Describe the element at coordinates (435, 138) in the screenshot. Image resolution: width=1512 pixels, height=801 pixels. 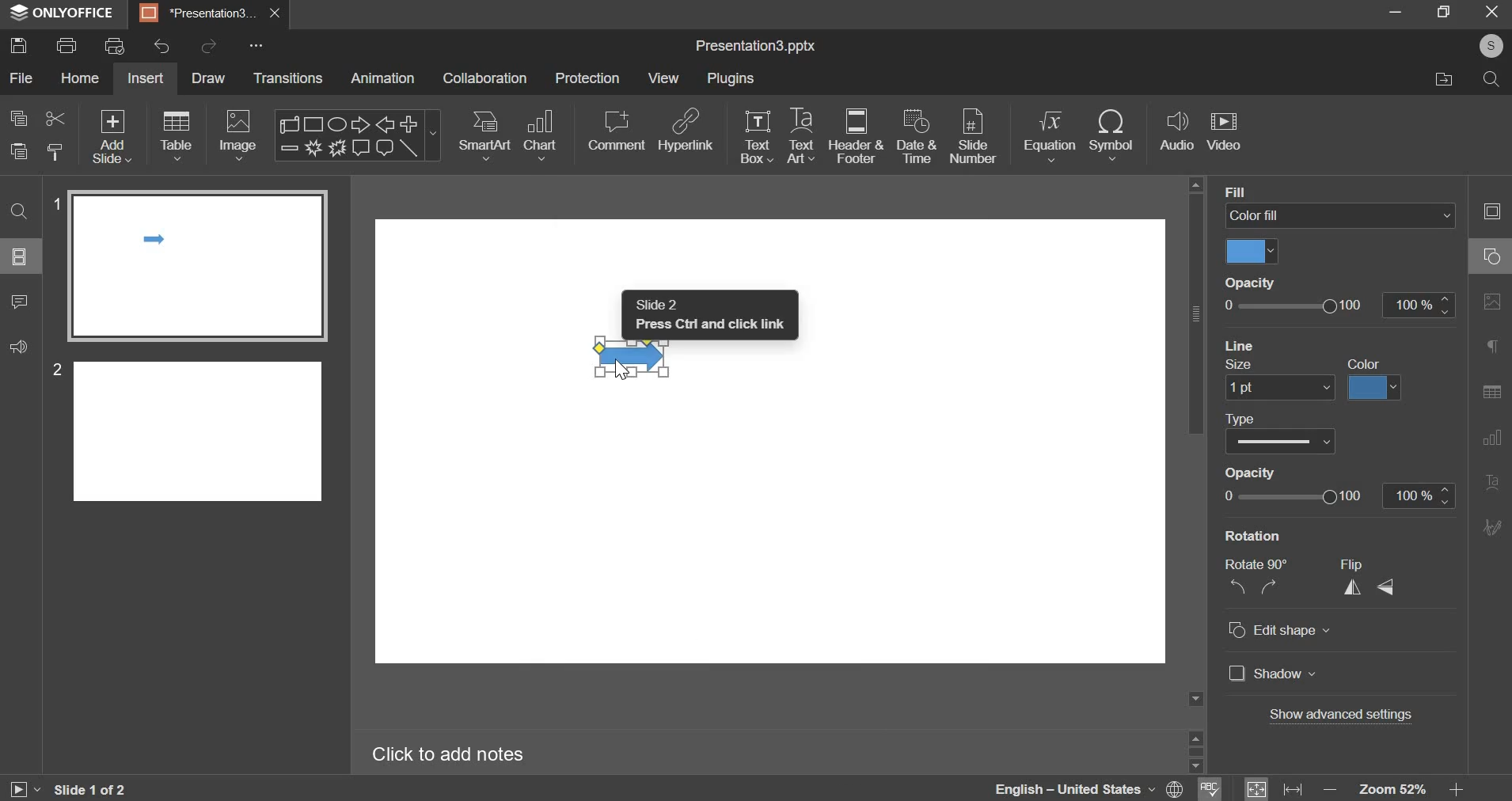
I see `more shapes` at that location.